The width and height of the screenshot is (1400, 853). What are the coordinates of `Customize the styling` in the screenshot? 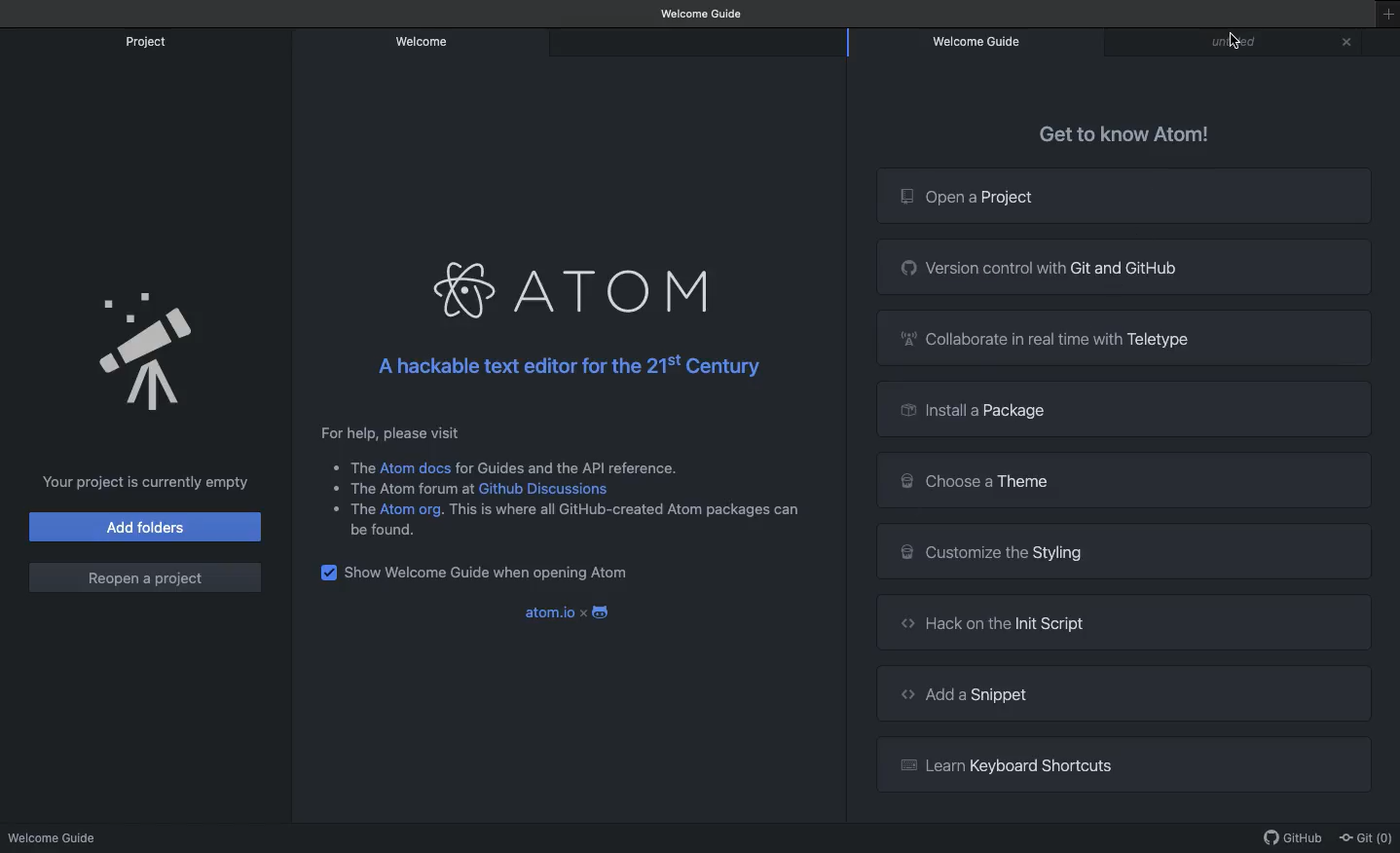 It's located at (1148, 551).